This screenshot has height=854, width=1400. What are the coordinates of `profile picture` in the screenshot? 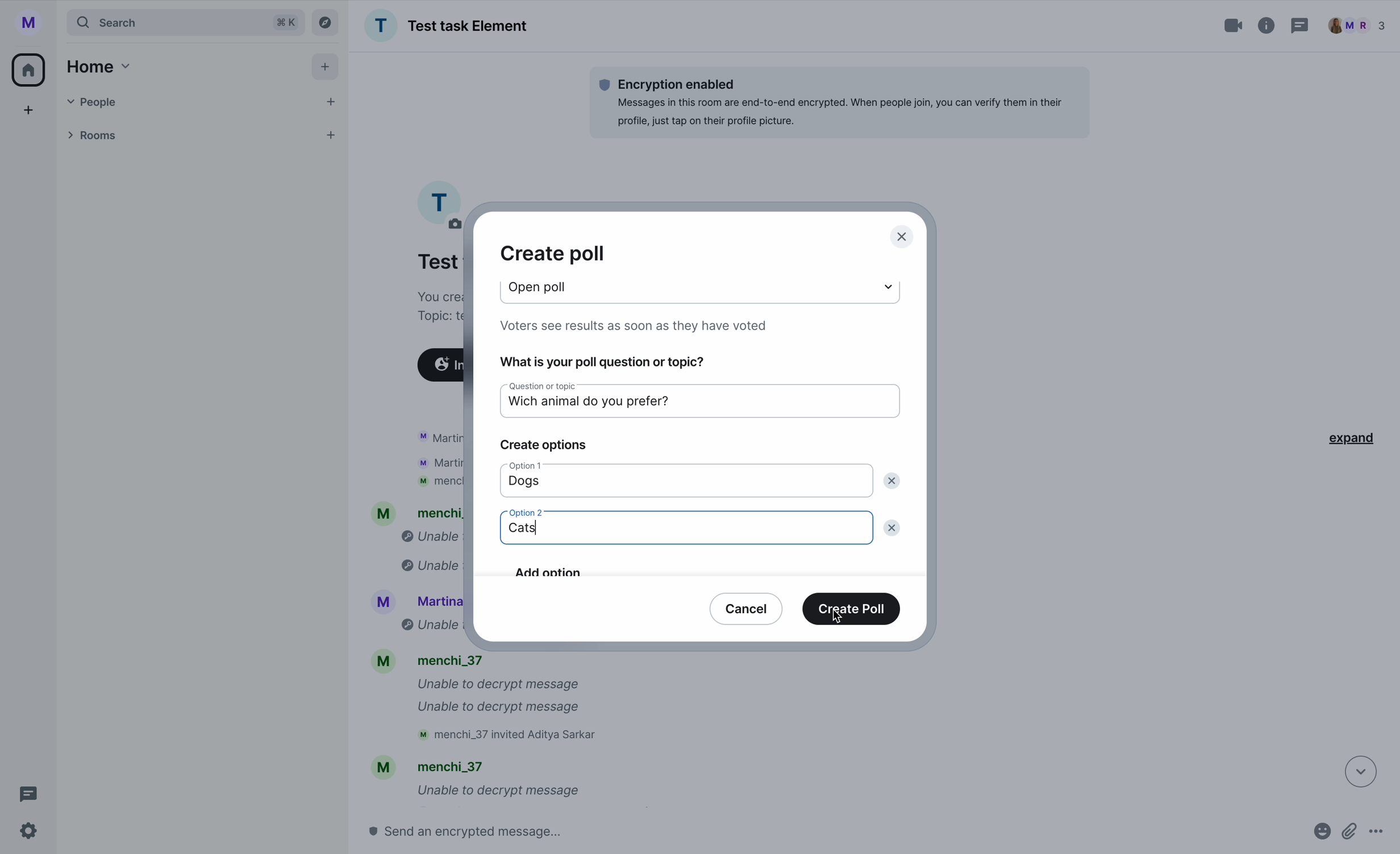 It's located at (33, 23).